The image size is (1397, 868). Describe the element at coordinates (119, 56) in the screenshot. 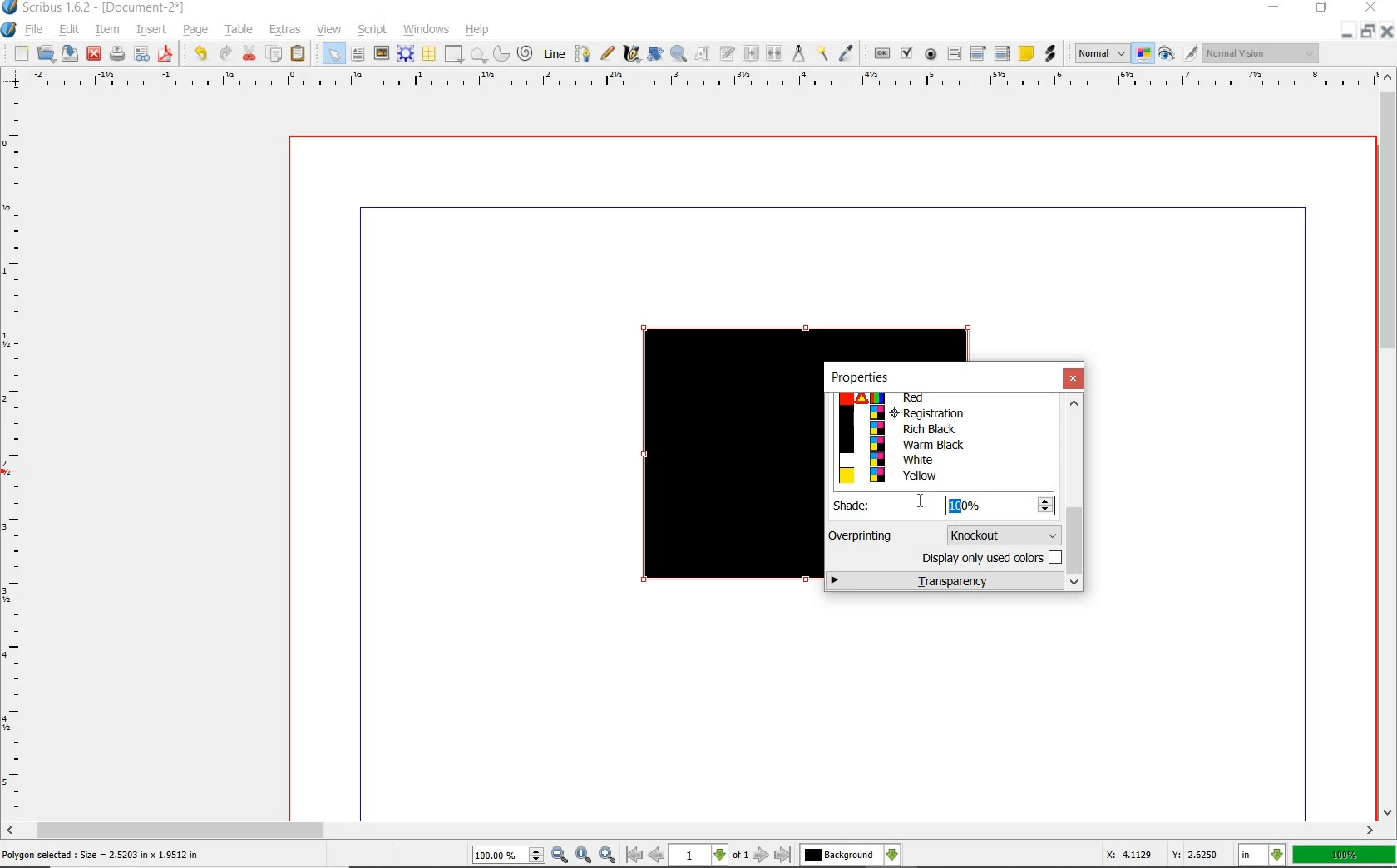

I see `print` at that location.